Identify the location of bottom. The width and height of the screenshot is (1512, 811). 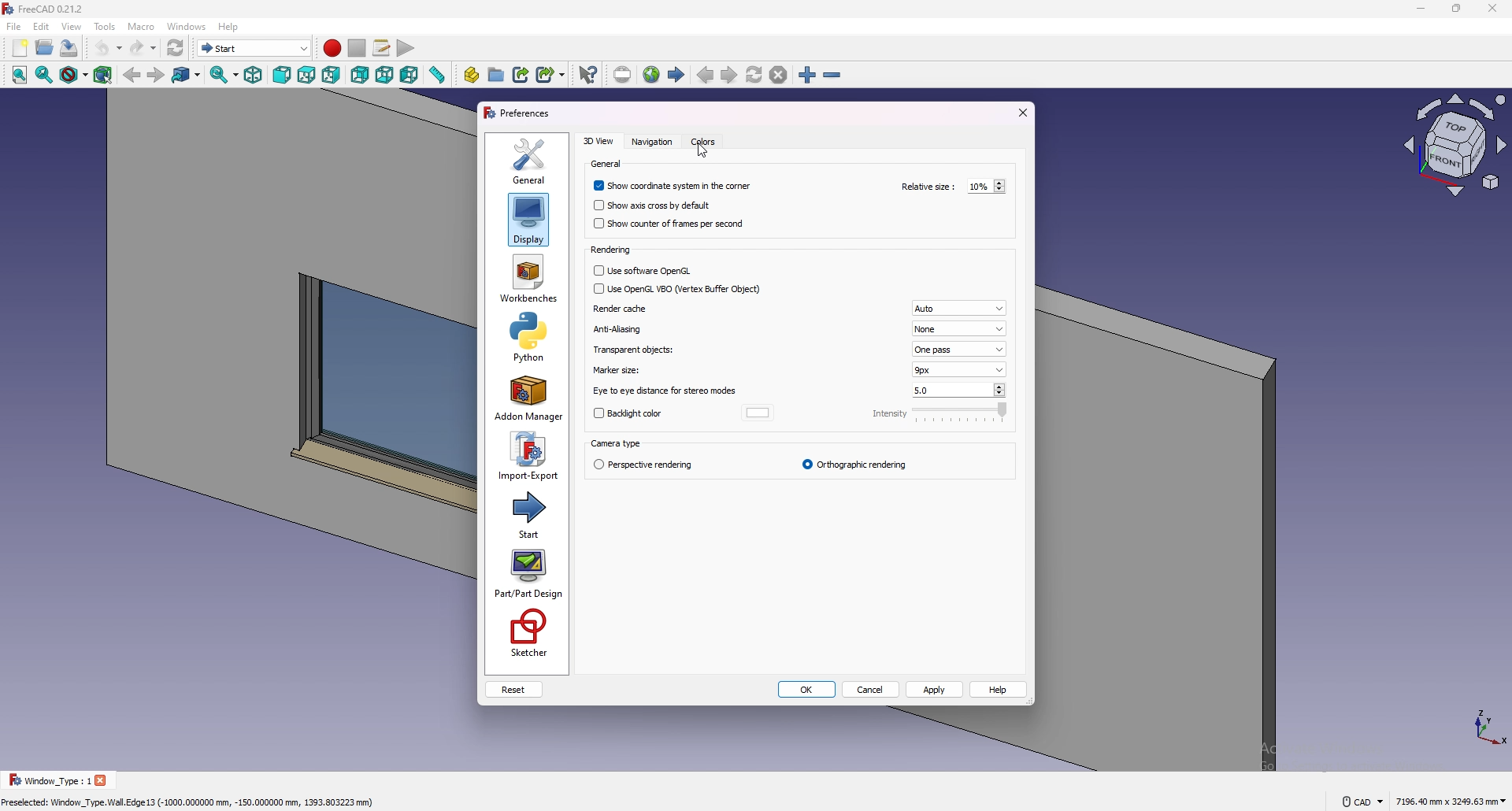
(385, 76).